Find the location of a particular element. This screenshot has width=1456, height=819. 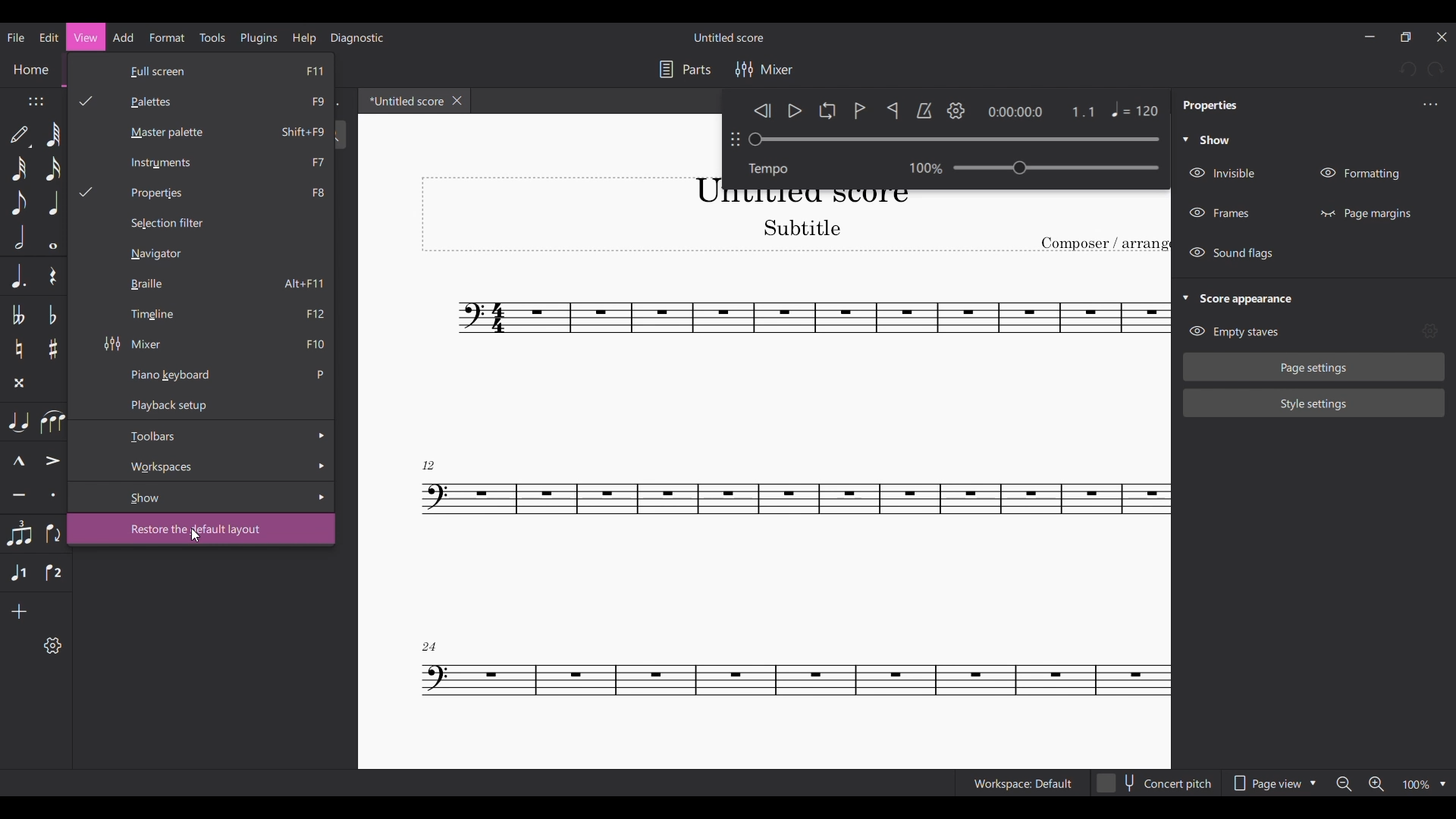

Metronome is located at coordinates (924, 111).